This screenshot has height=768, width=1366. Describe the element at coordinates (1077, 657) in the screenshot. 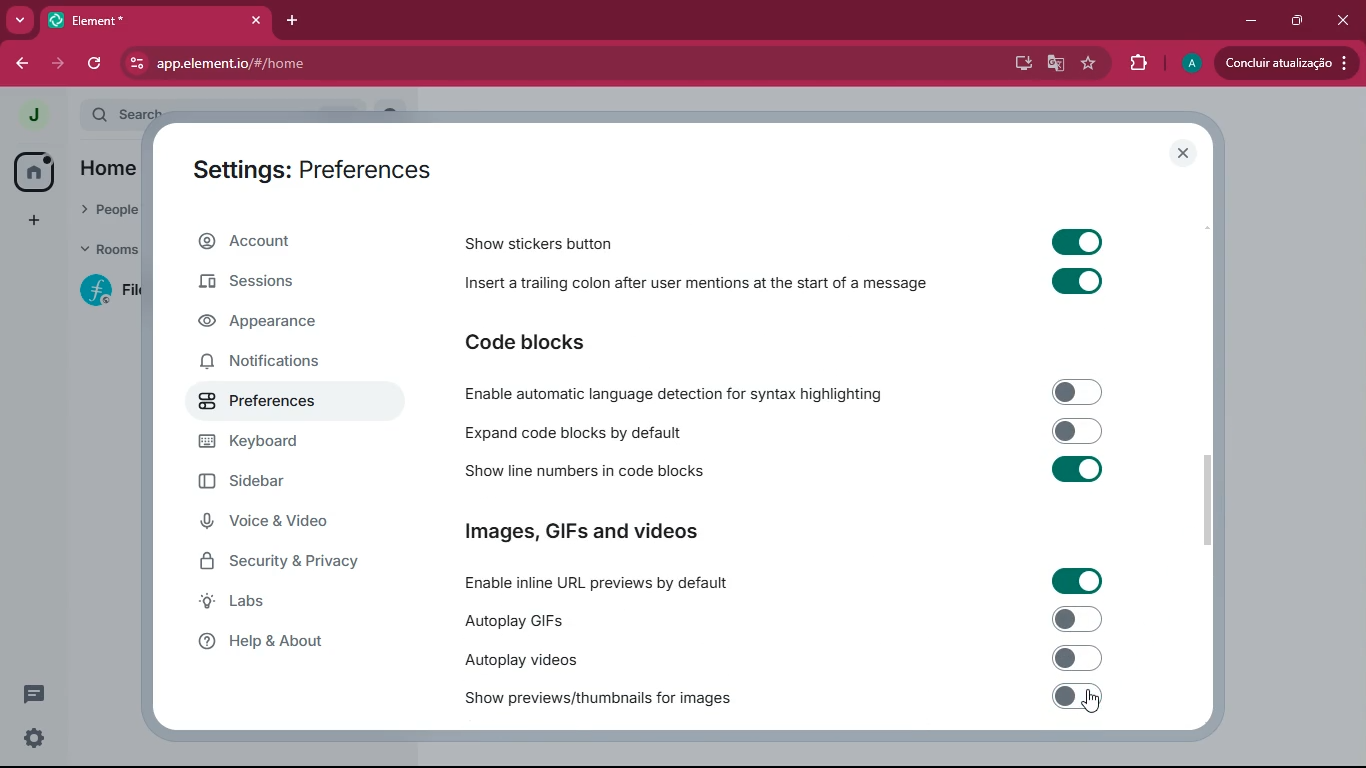

I see `Toggle off` at that location.